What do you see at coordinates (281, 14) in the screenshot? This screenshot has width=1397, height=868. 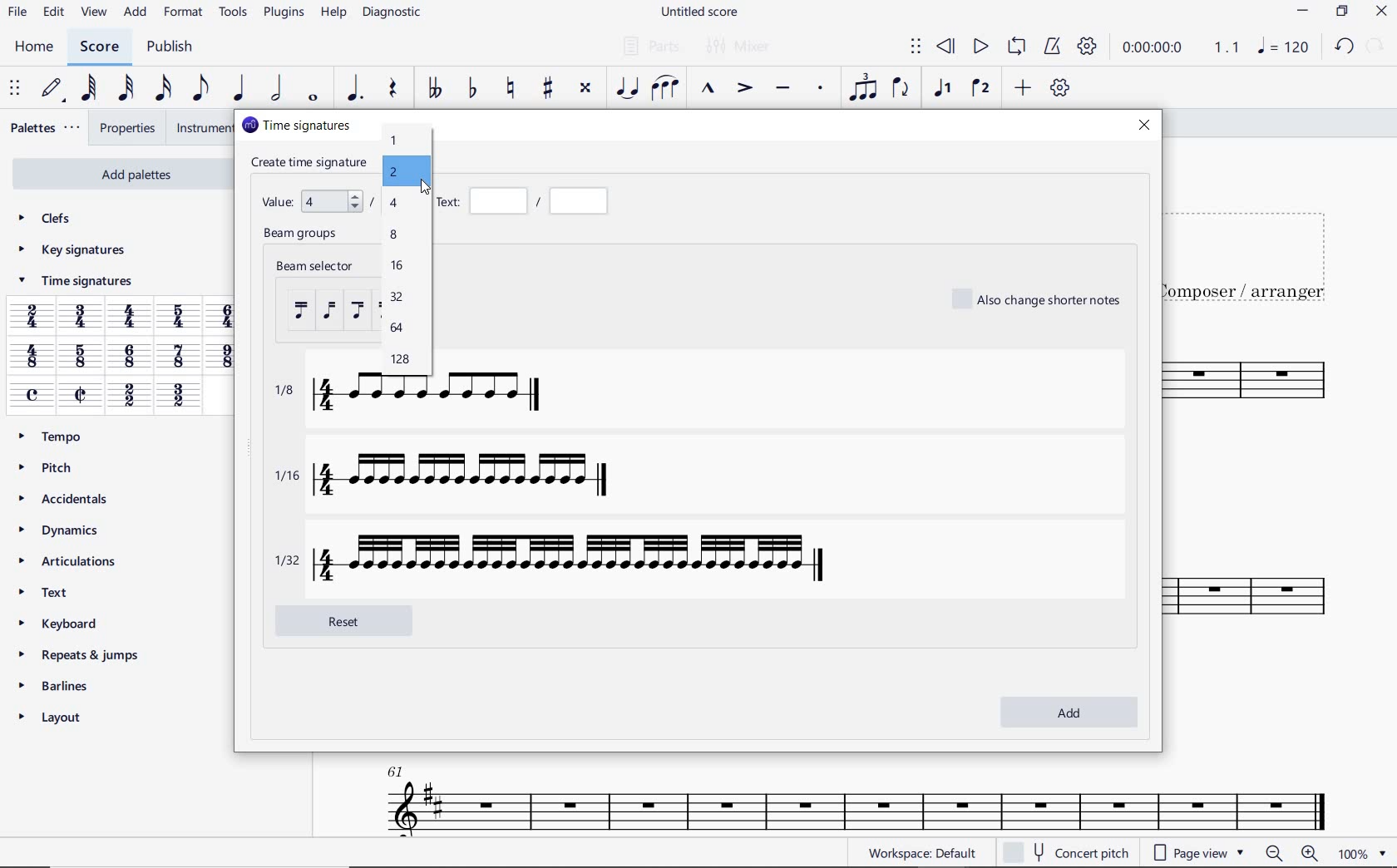 I see `PLUGINS` at bounding box center [281, 14].